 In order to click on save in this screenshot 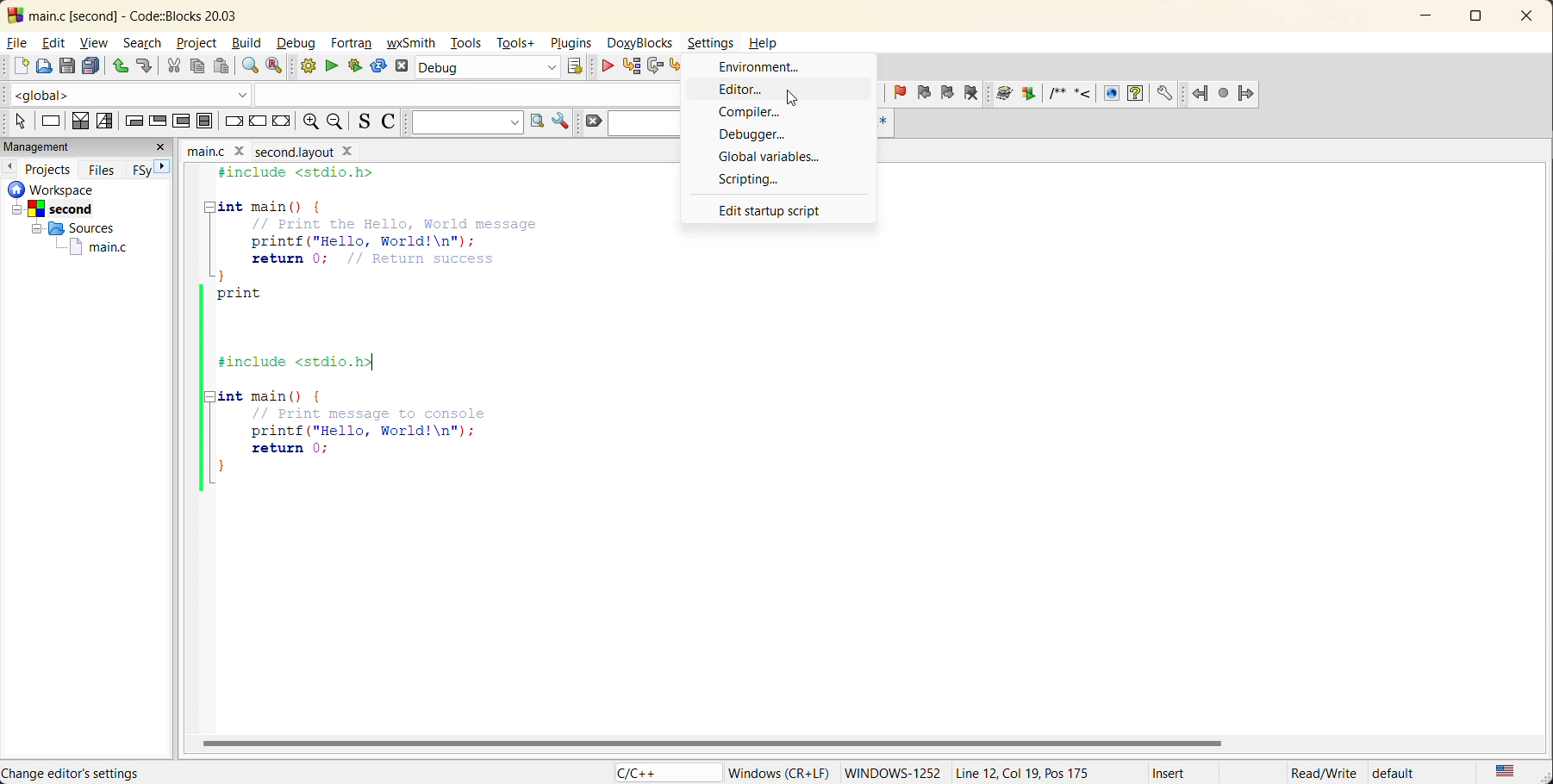, I will do `click(68, 65)`.